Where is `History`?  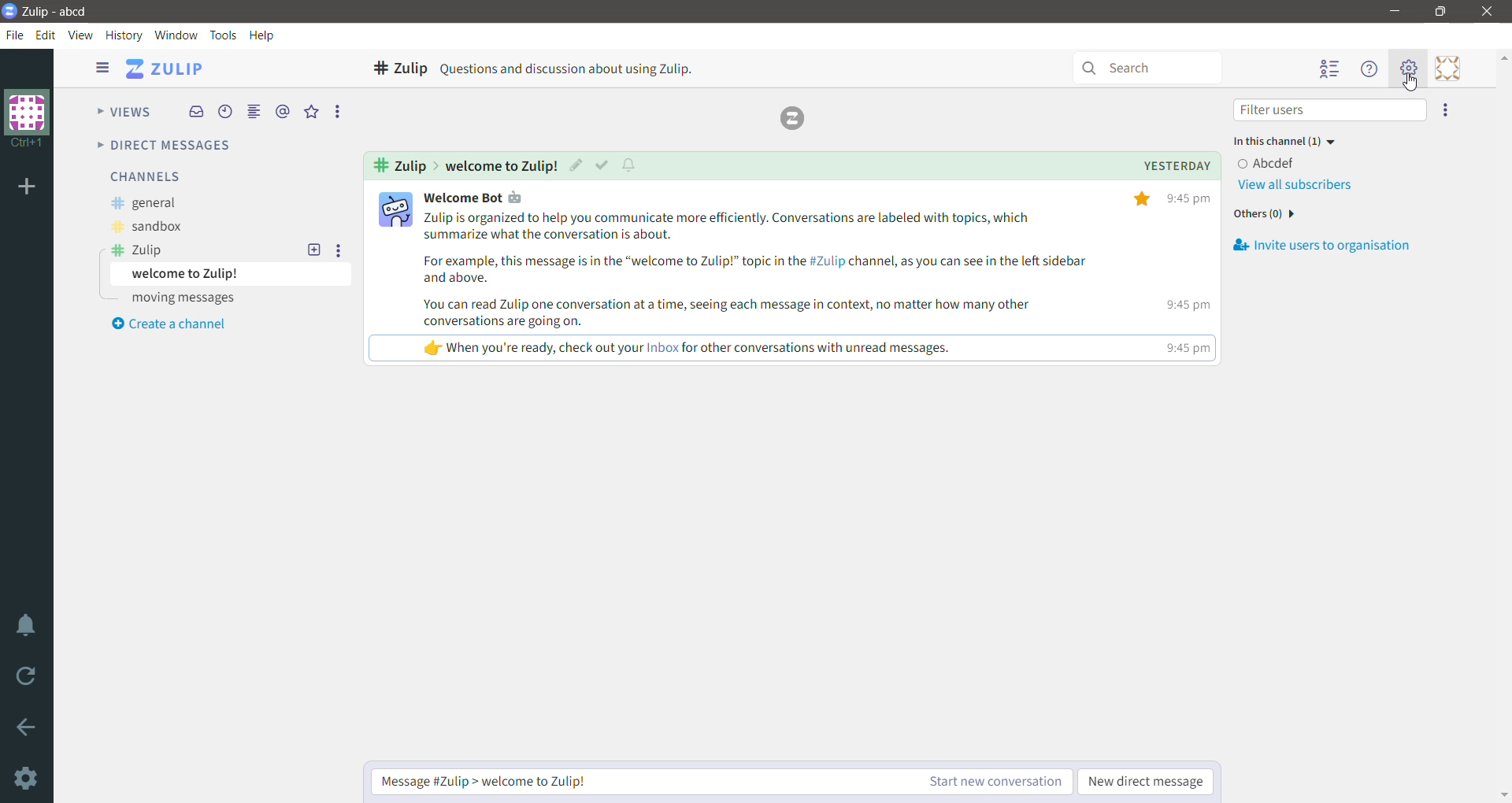
History is located at coordinates (124, 35).